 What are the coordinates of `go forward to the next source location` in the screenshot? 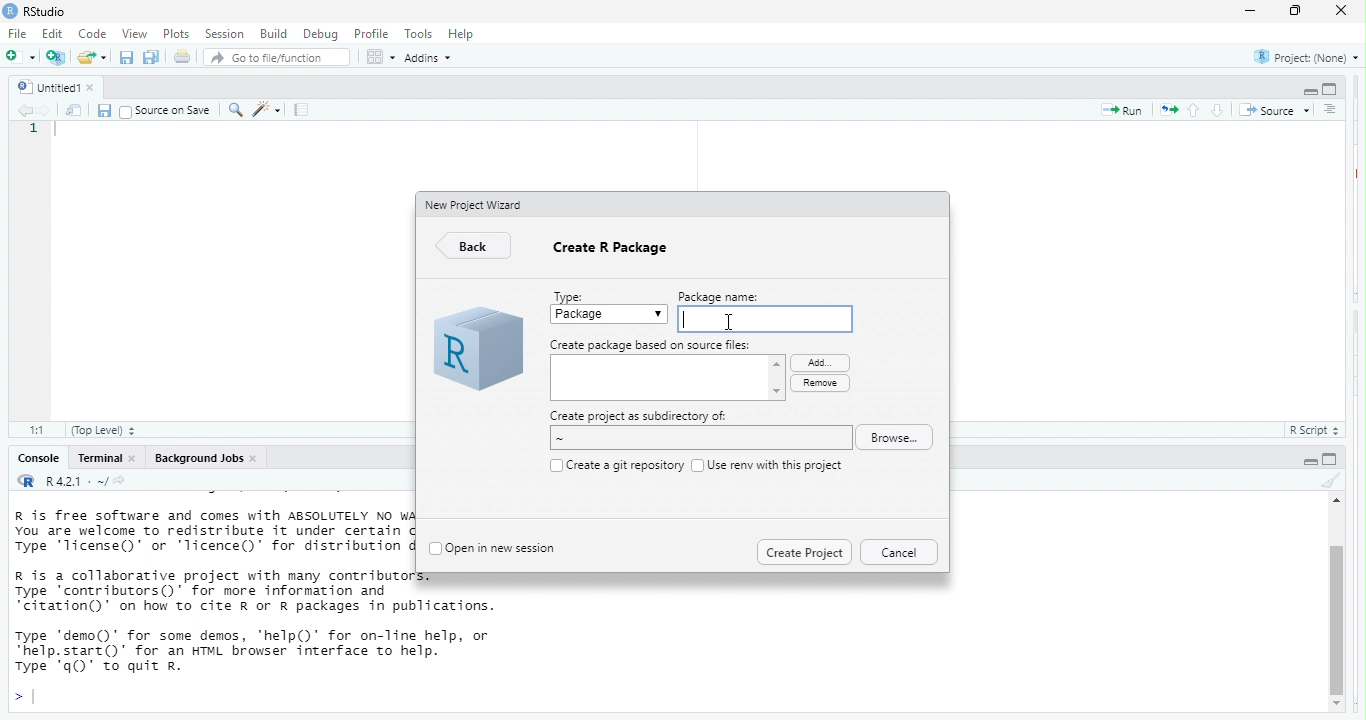 It's located at (45, 109).